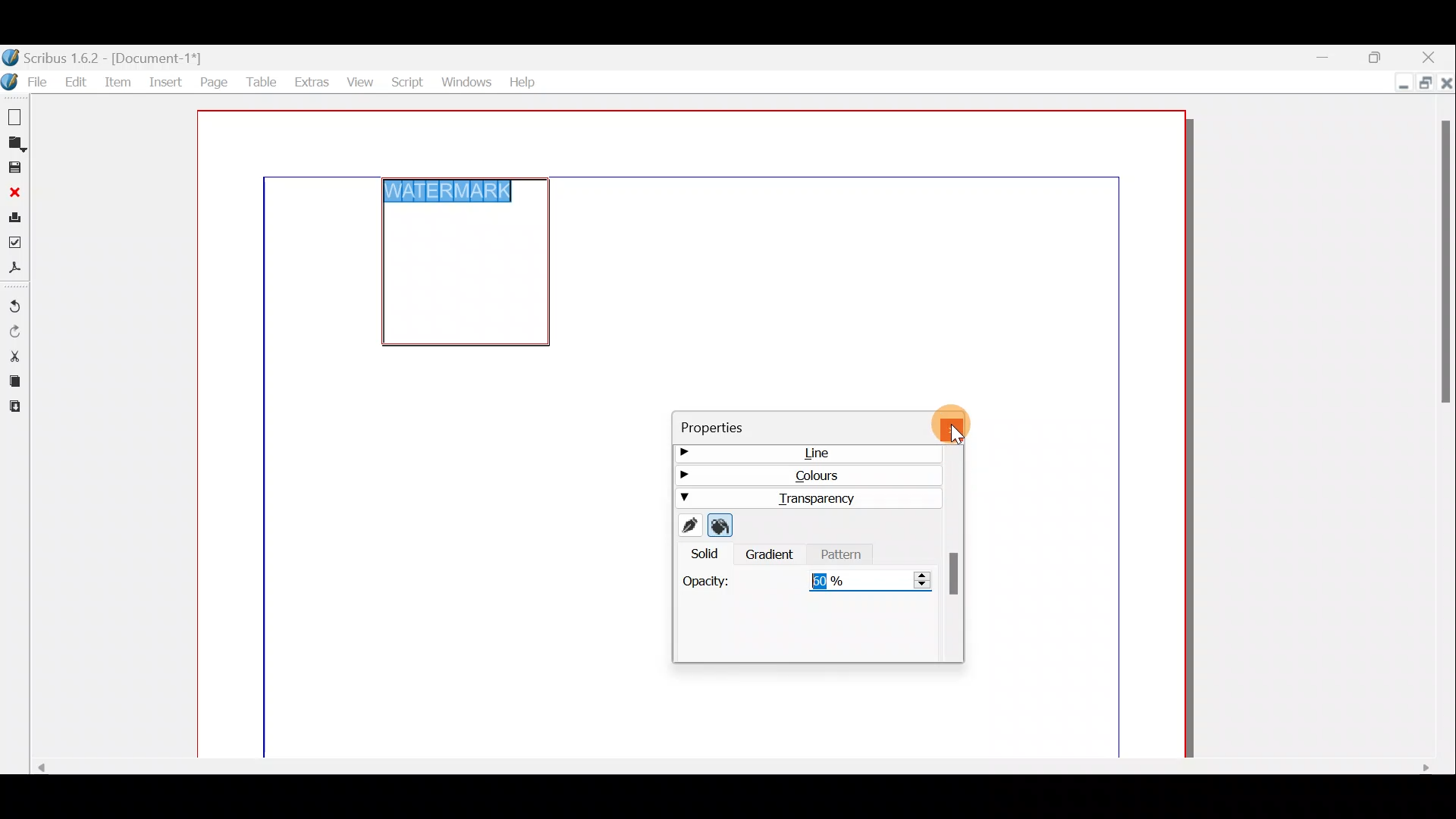 The image size is (1456, 819). I want to click on File, so click(28, 81).